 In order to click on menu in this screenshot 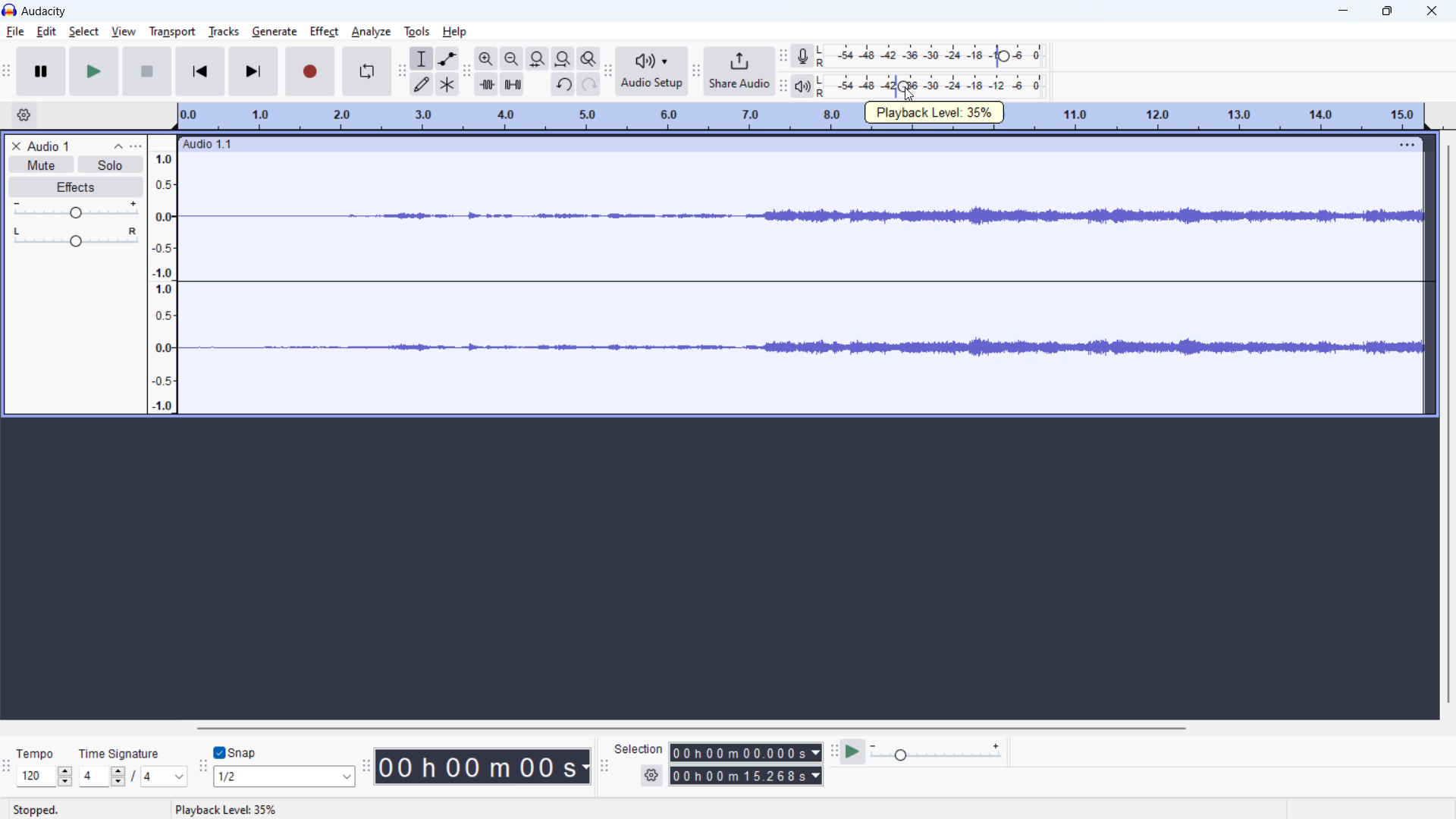, I will do `click(1408, 143)`.